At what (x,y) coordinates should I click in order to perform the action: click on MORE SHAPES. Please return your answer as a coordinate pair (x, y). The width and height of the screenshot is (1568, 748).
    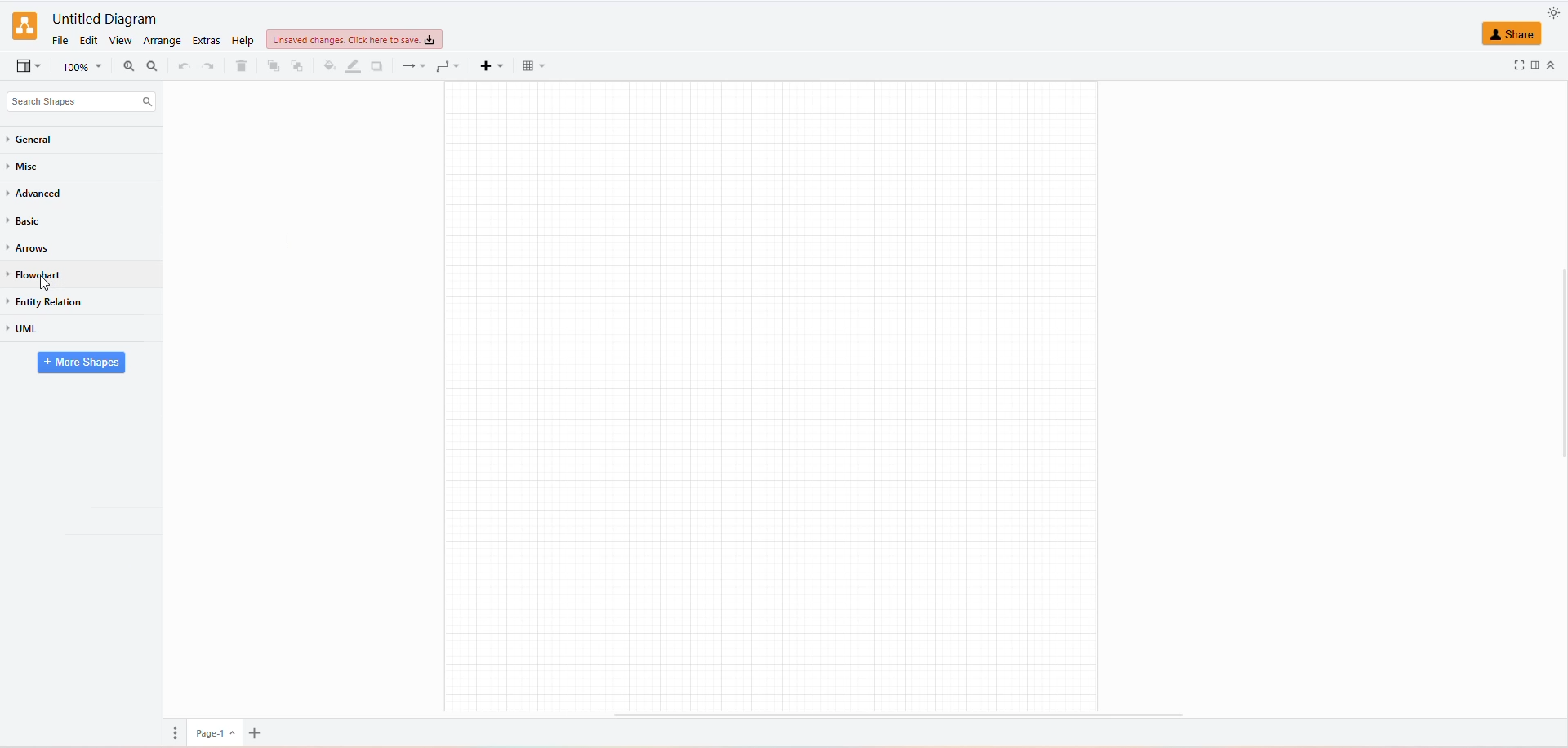
    Looking at the image, I should click on (82, 362).